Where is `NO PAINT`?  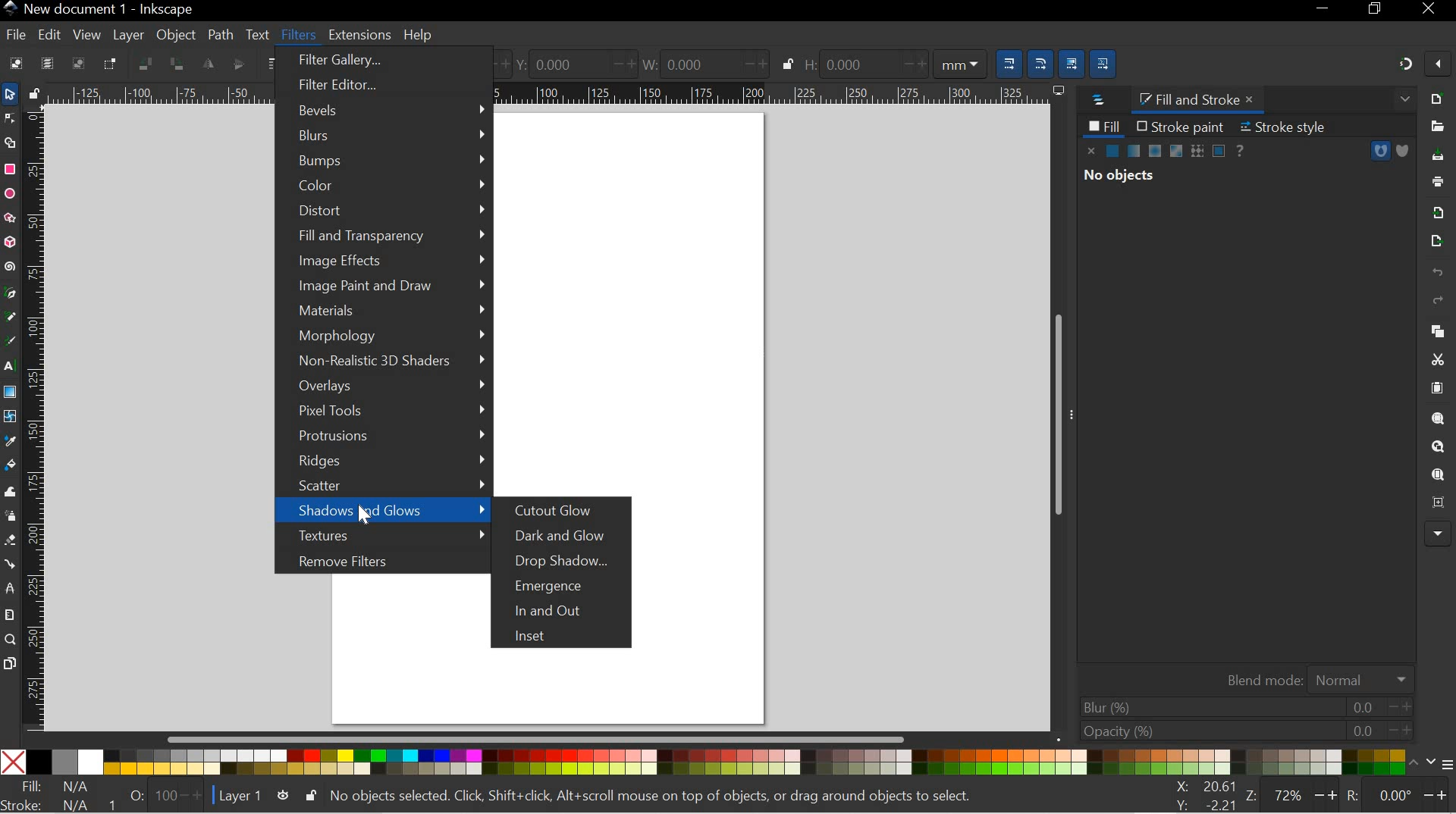 NO PAINT is located at coordinates (1092, 151).